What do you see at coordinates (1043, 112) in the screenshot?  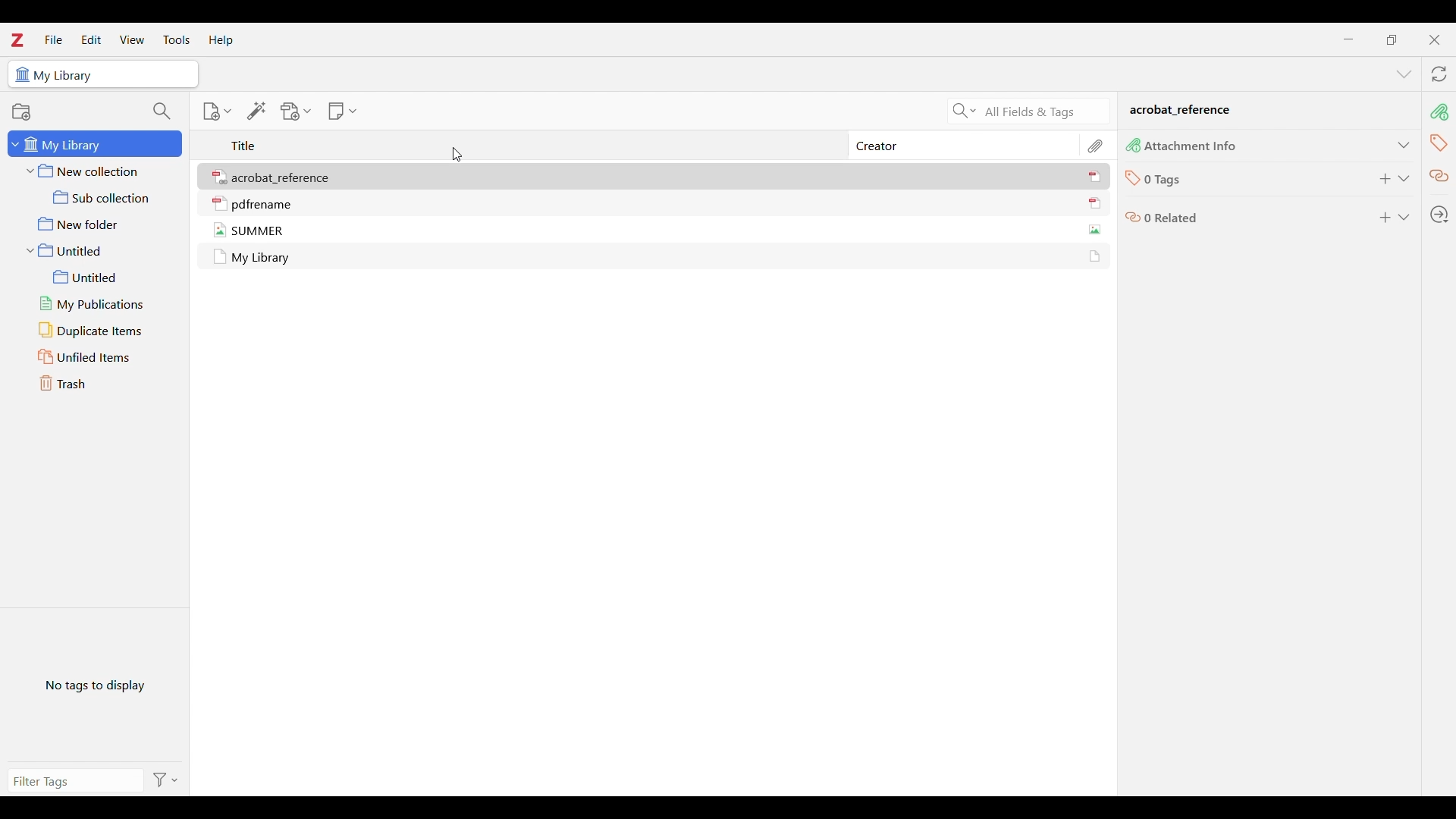 I see `Selected search criteria` at bounding box center [1043, 112].